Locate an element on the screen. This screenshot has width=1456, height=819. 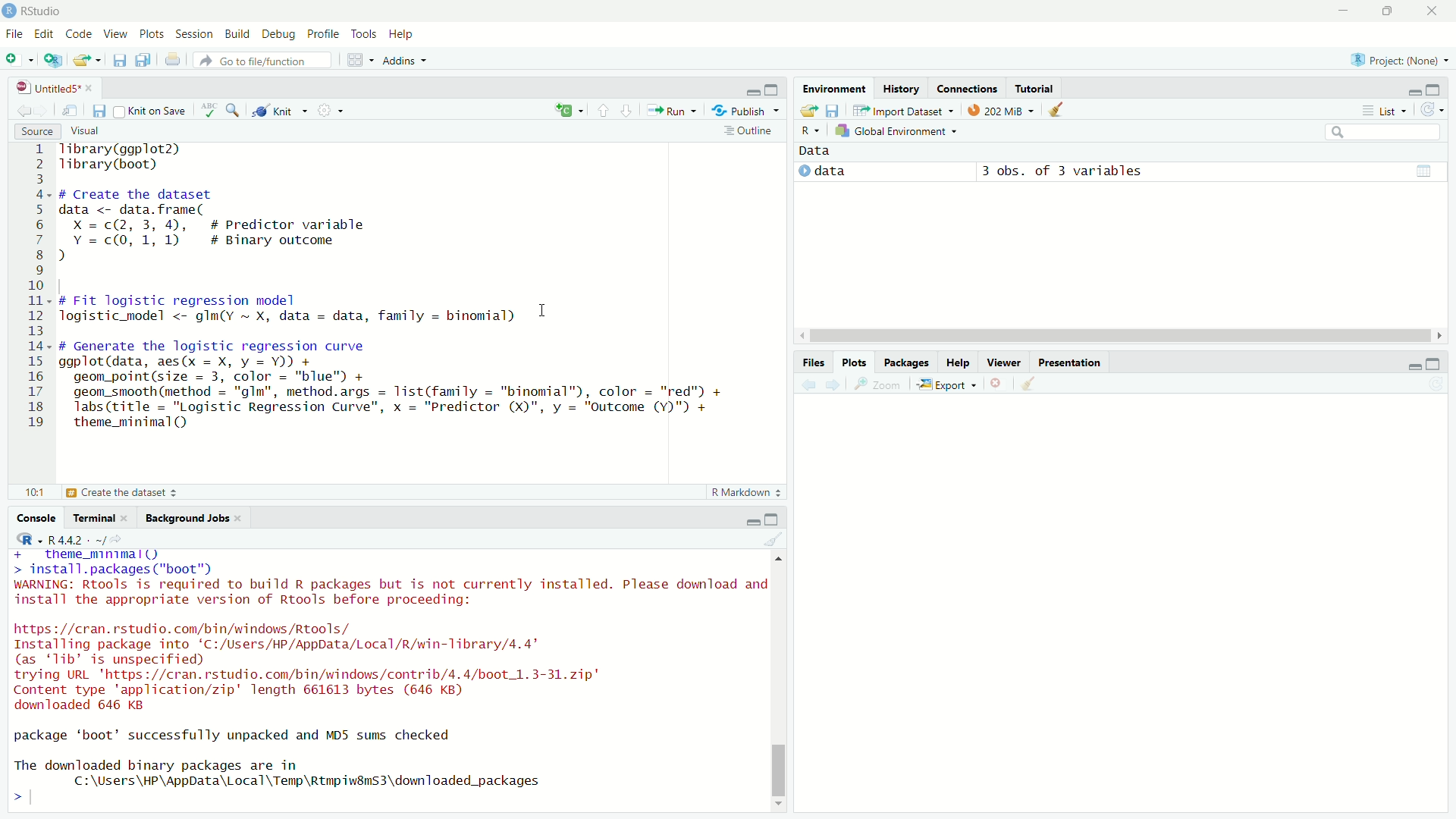
Go back to previous source location is located at coordinates (24, 111).